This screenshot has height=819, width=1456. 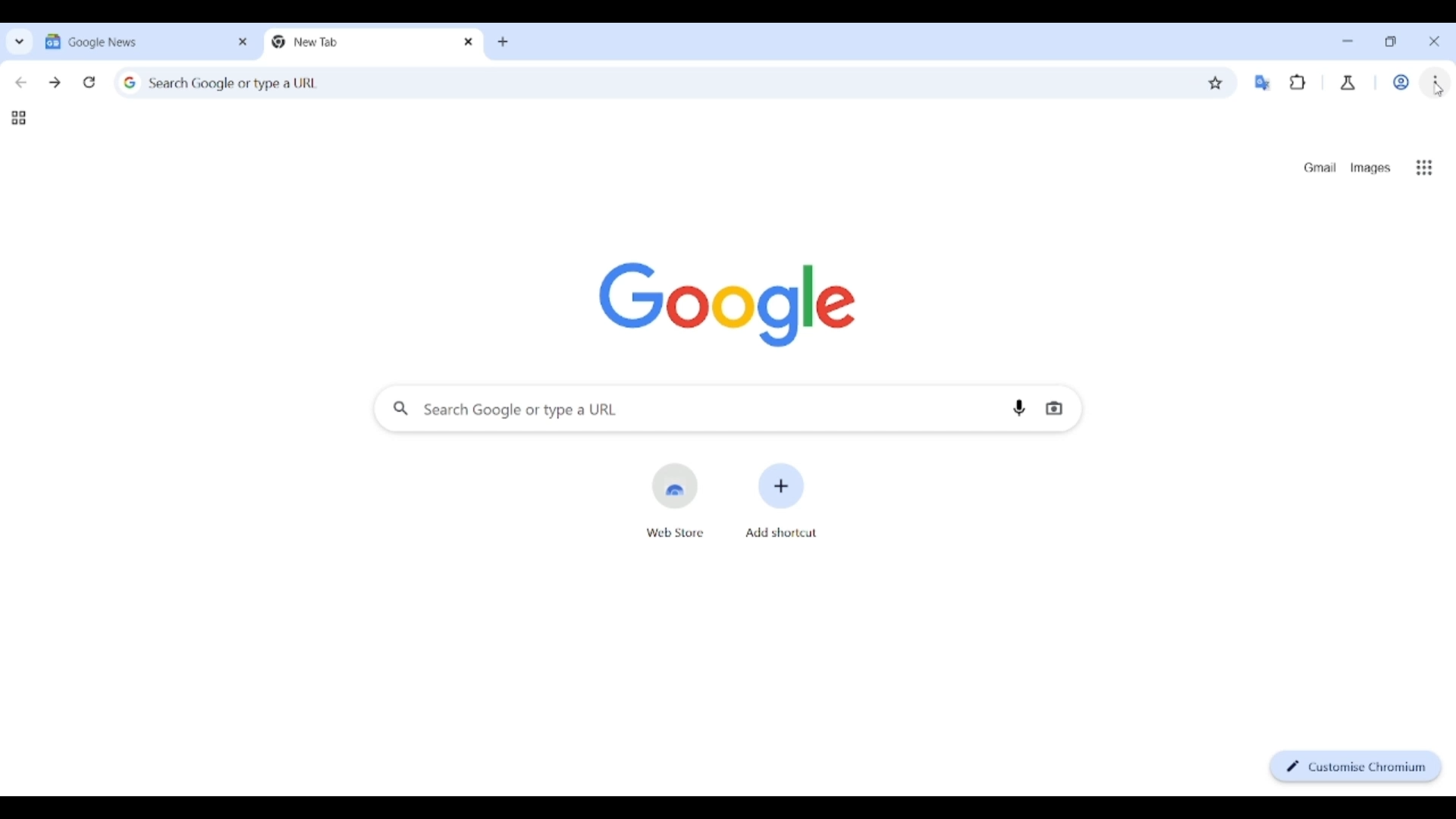 I want to click on Add new tab, so click(x=503, y=42).